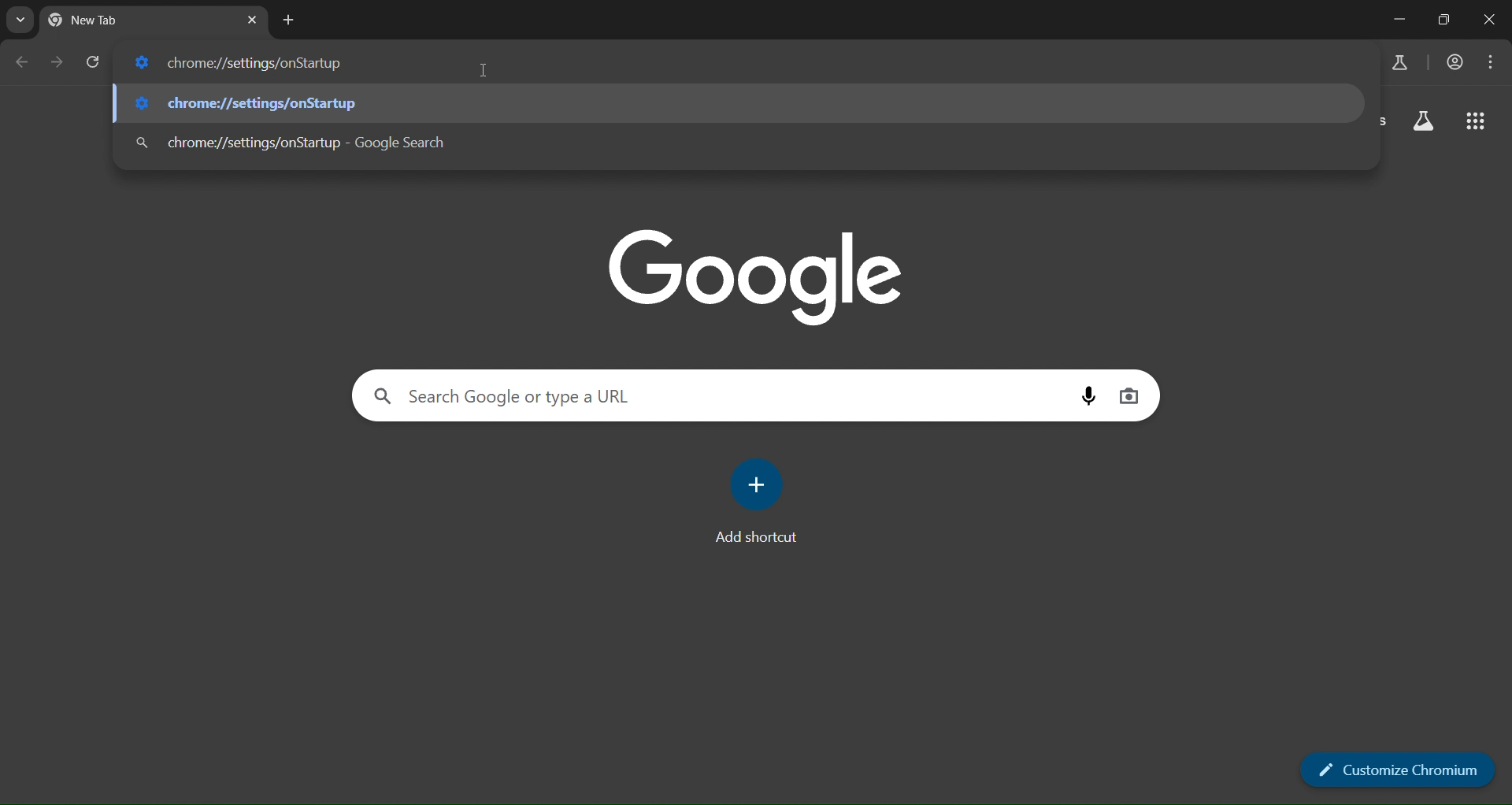  Describe the element at coordinates (1423, 121) in the screenshot. I see `search labs` at that location.